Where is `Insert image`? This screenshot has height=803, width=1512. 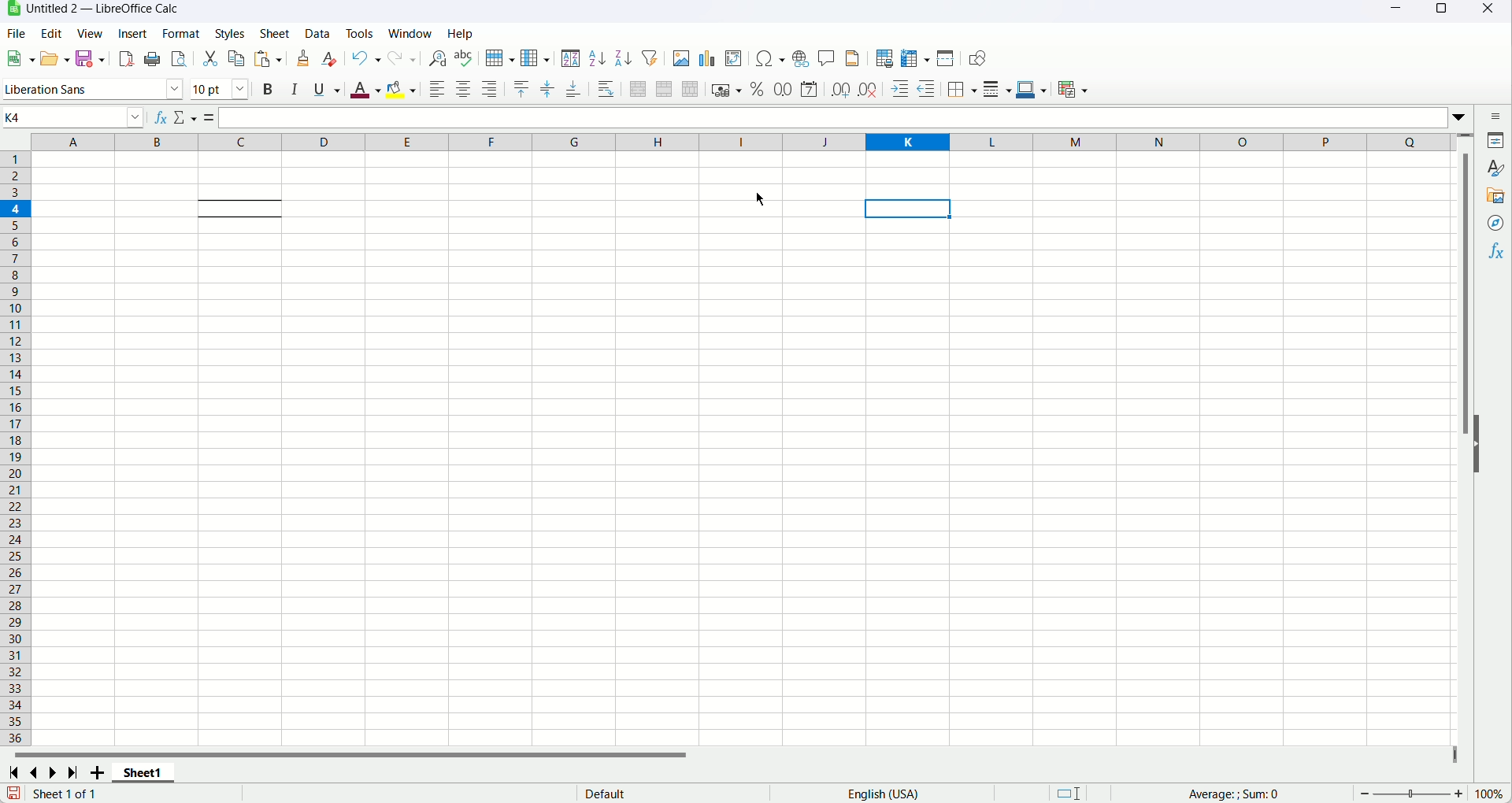
Insert image is located at coordinates (680, 57).